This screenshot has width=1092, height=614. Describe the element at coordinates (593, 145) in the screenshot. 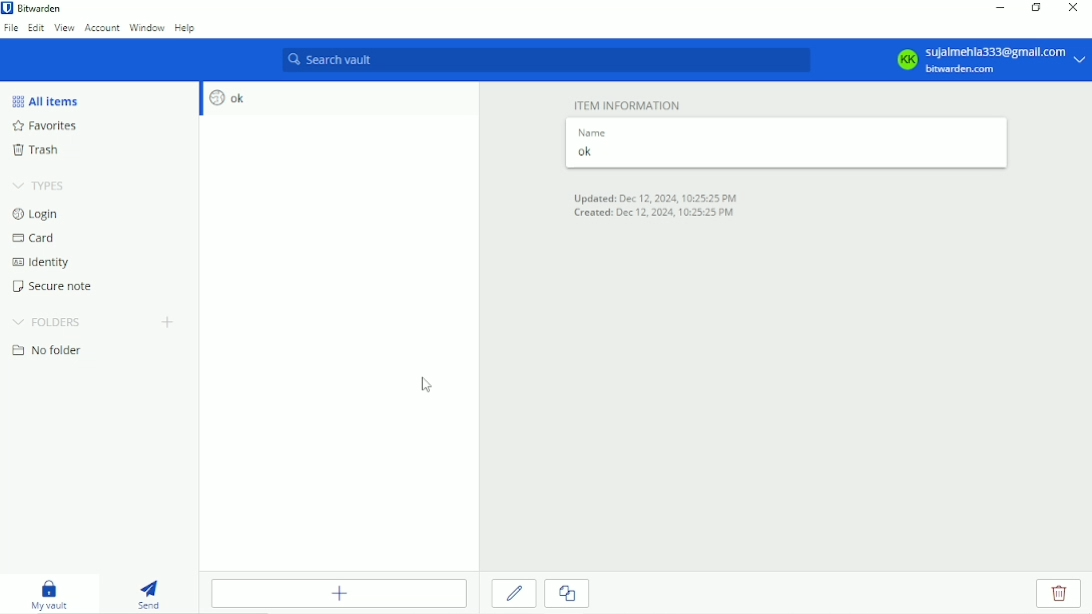

I see `Name ok` at that location.